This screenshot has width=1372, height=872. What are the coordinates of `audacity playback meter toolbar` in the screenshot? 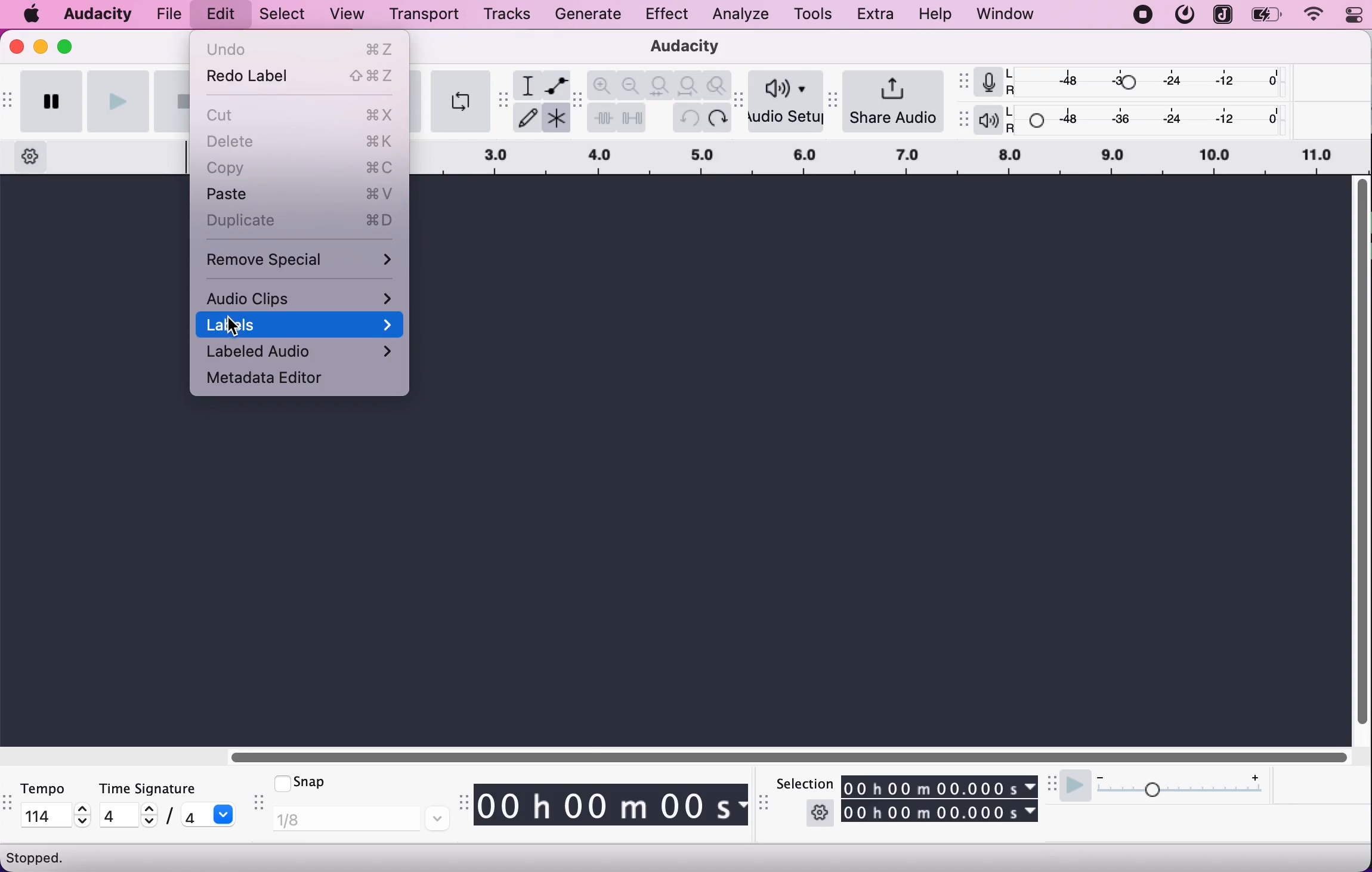 It's located at (962, 120).